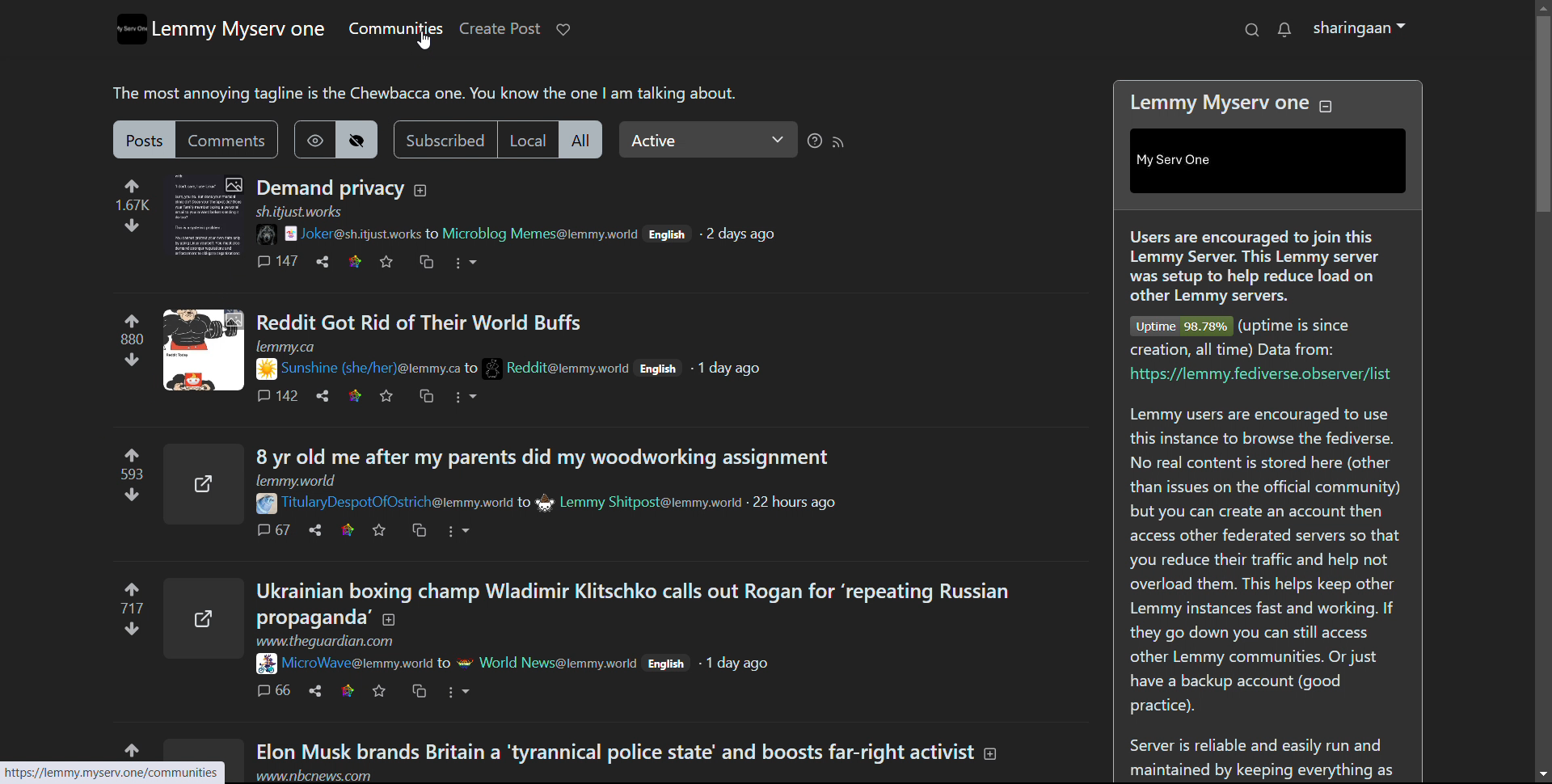 This screenshot has height=784, width=1552. Describe the element at coordinates (266, 369) in the screenshot. I see `poster image` at that location.